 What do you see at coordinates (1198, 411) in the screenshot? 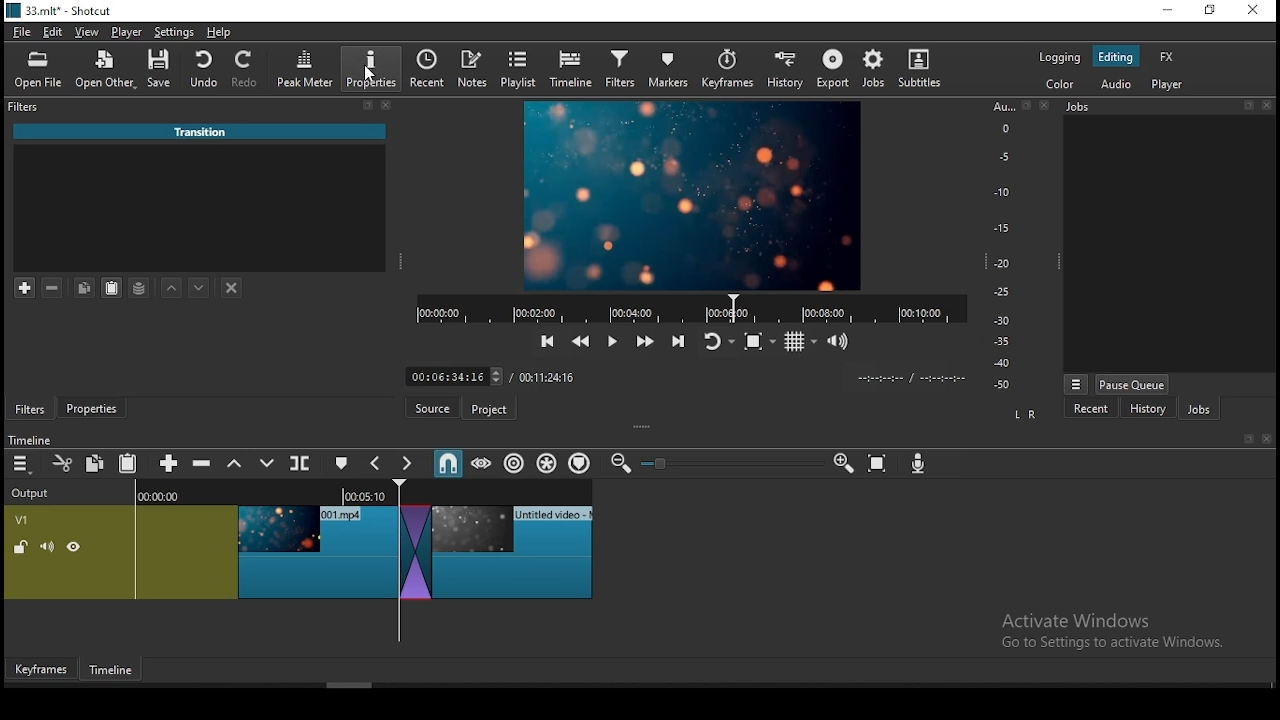
I see `jobs` at bounding box center [1198, 411].